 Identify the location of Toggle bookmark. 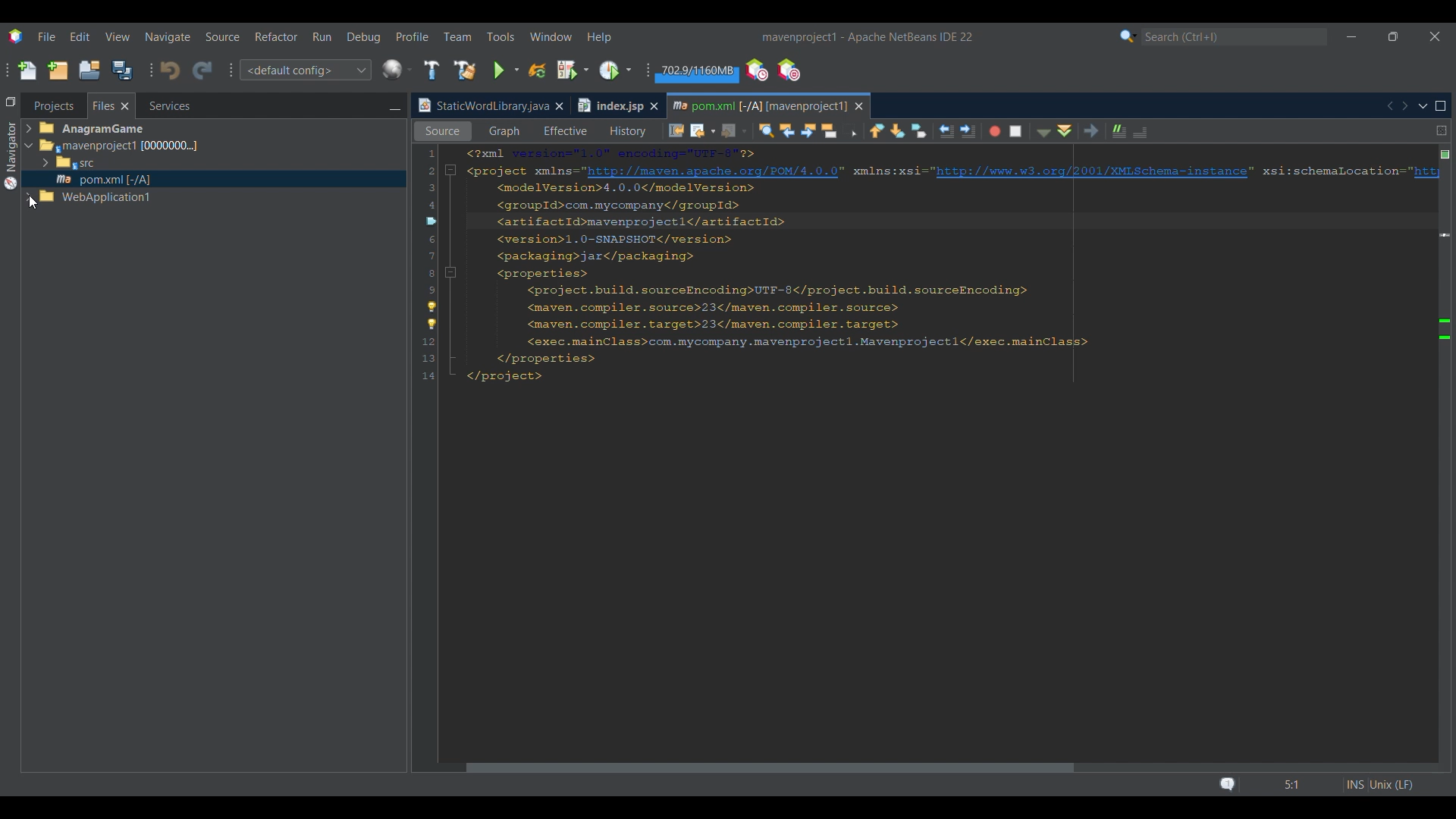
(919, 130).